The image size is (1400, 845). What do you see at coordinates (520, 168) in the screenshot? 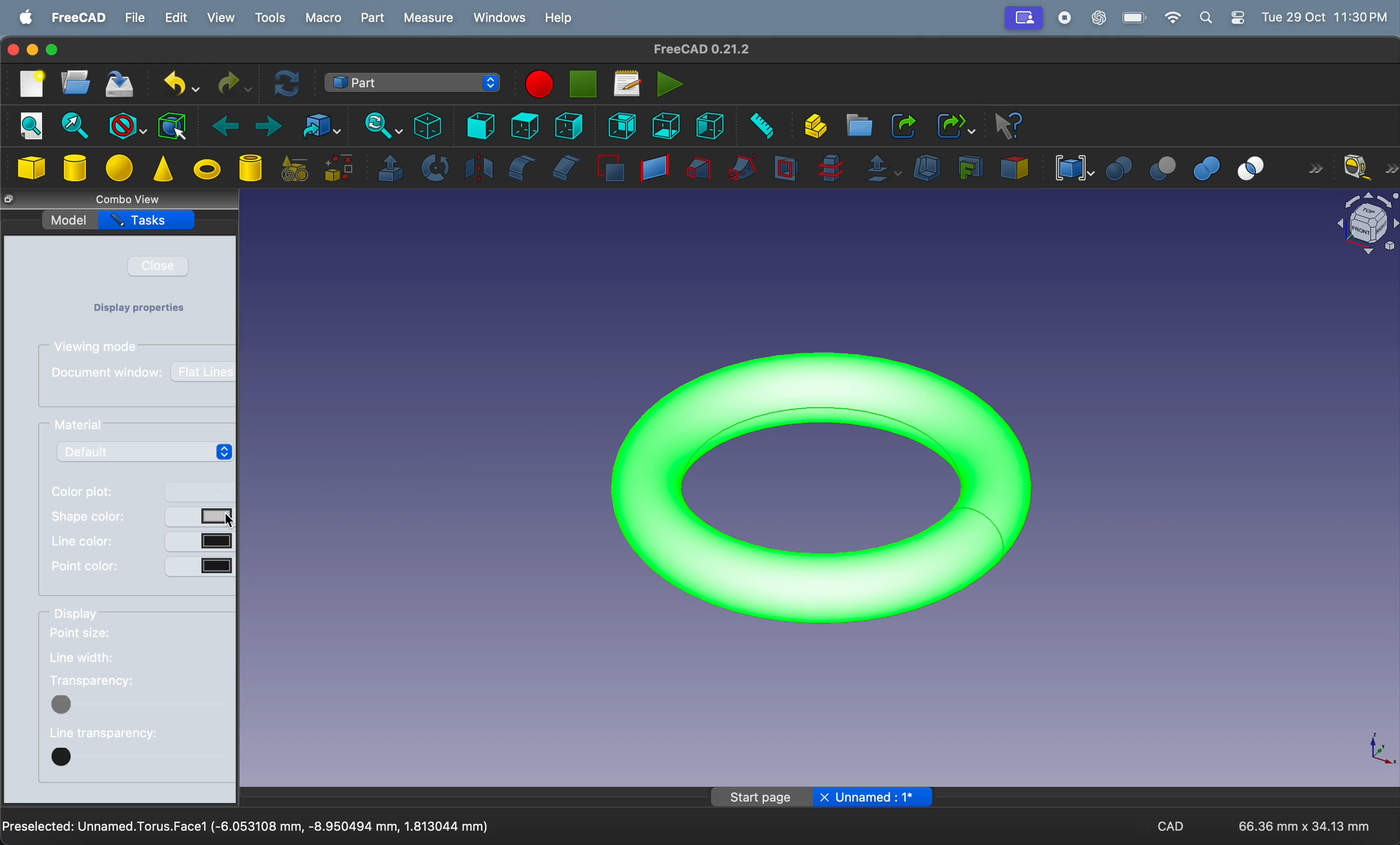
I see `fillet` at bounding box center [520, 168].